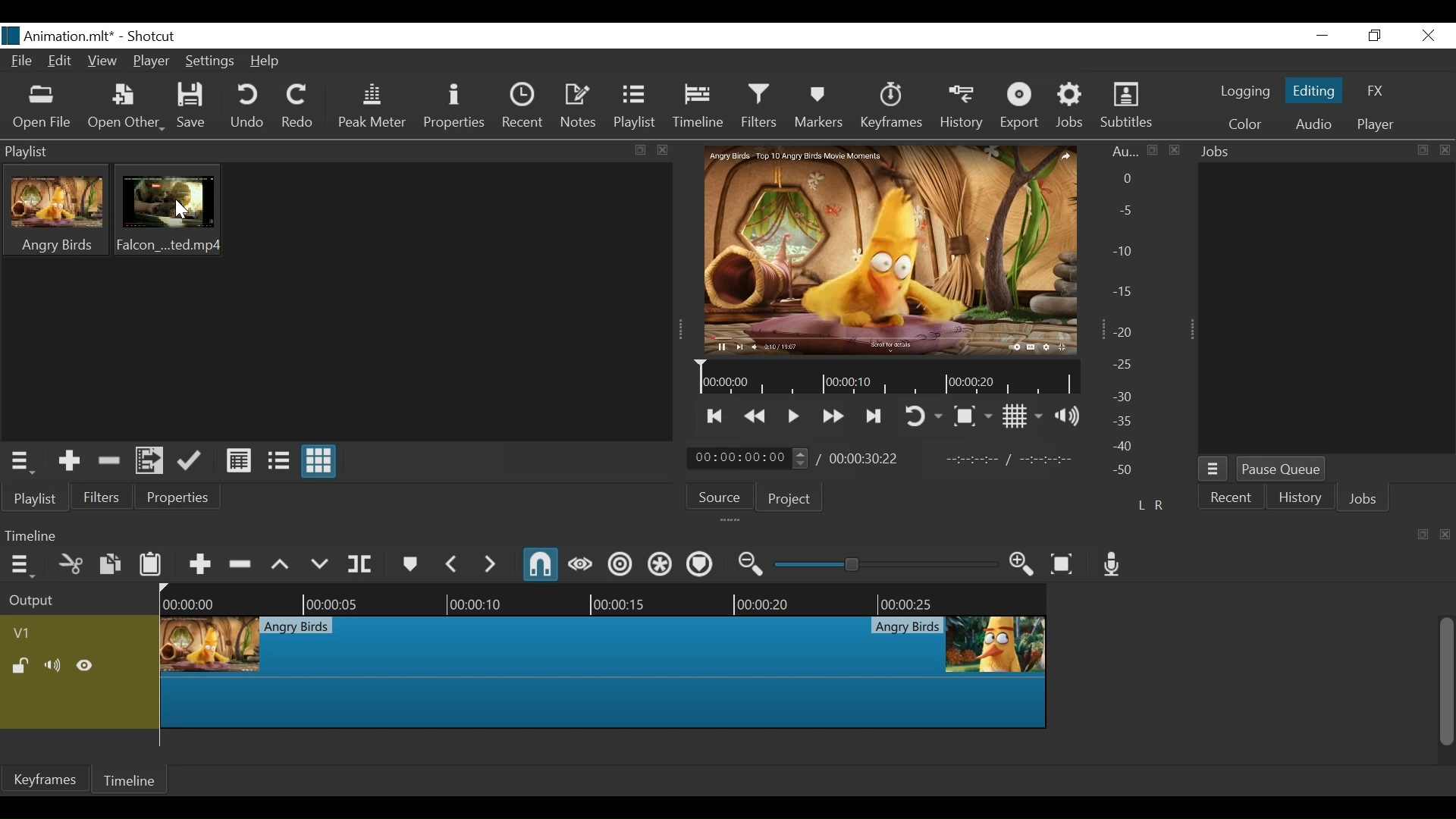  Describe the element at coordinates (1214, 470) in the screenshot. I see `Jobs Menu` at that location.